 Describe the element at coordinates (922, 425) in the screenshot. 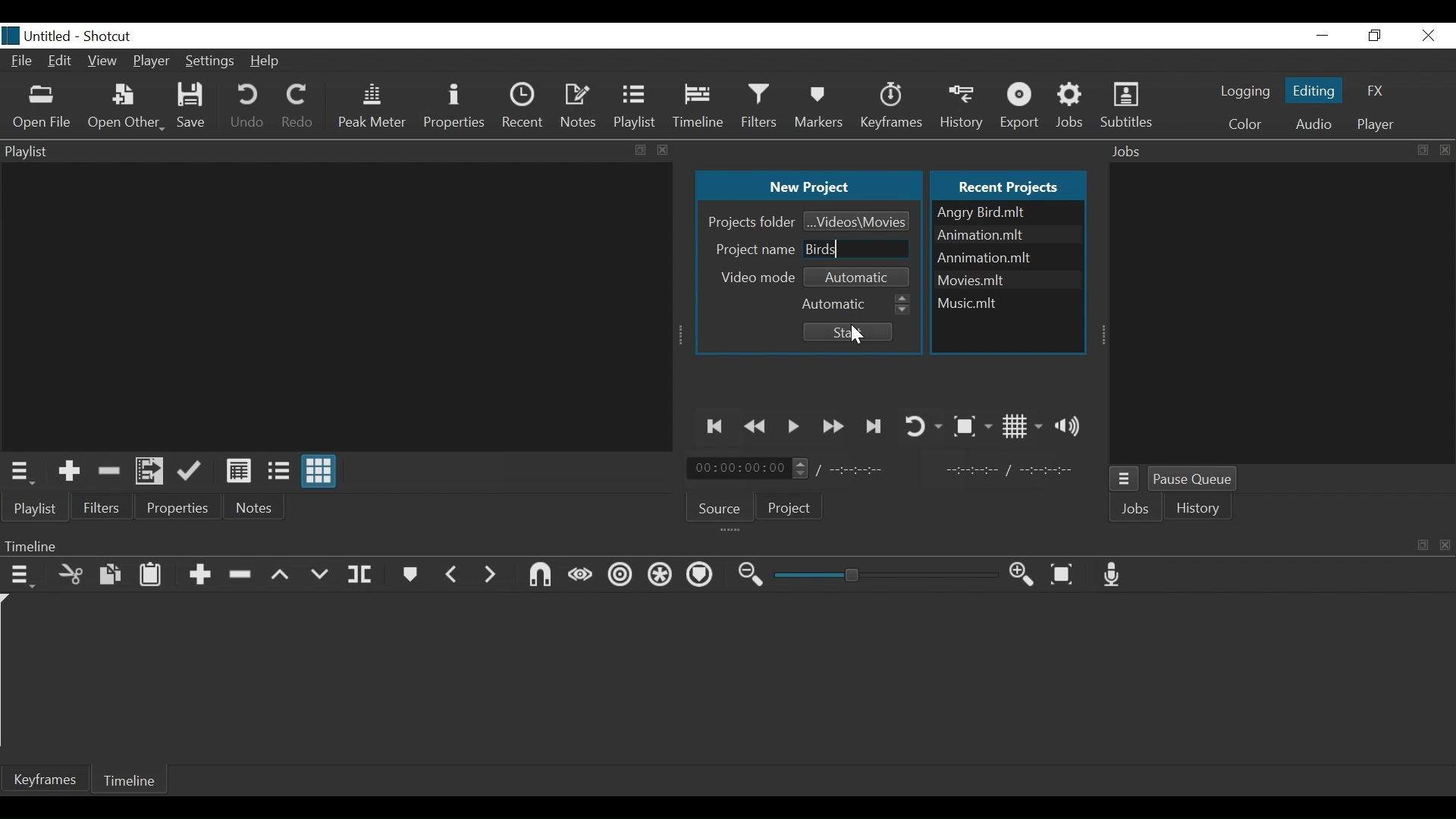

I see `Toggle player looping` at that location.